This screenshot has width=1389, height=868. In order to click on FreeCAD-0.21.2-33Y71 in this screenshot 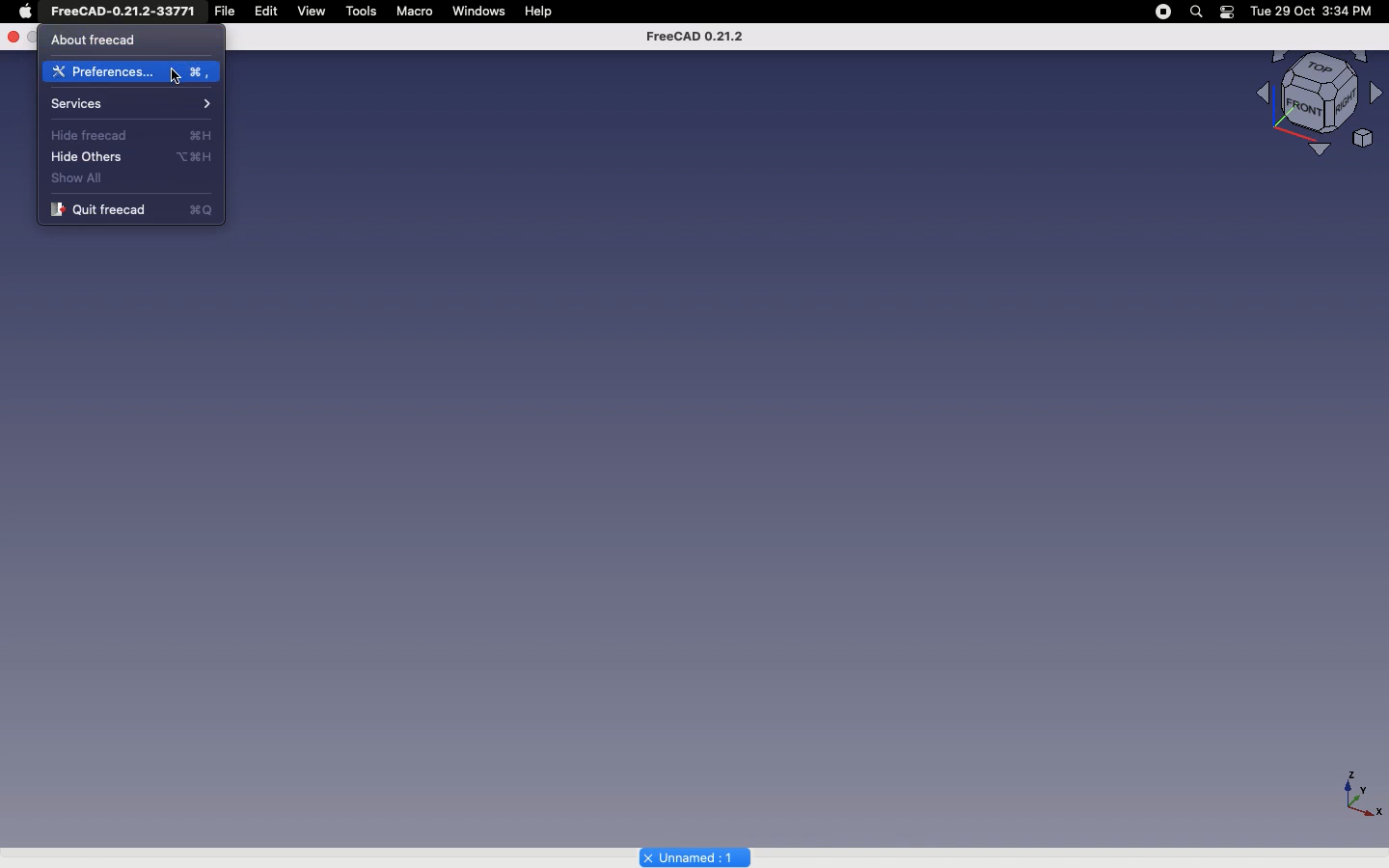, I will do `click(126, 14)`.